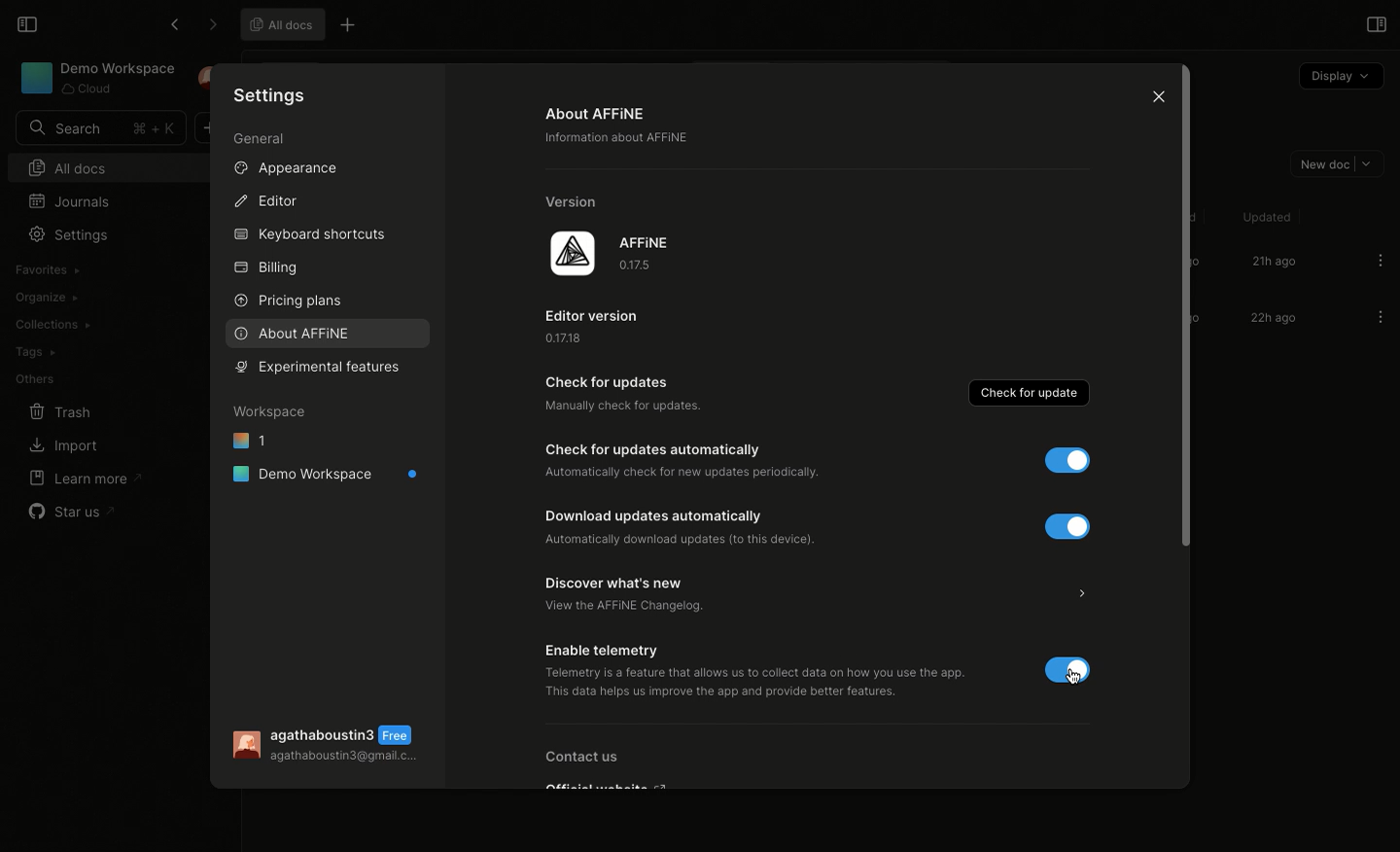 This screenshot has height=852, width=1400. I want to click on New doc, so click(1333, 162).